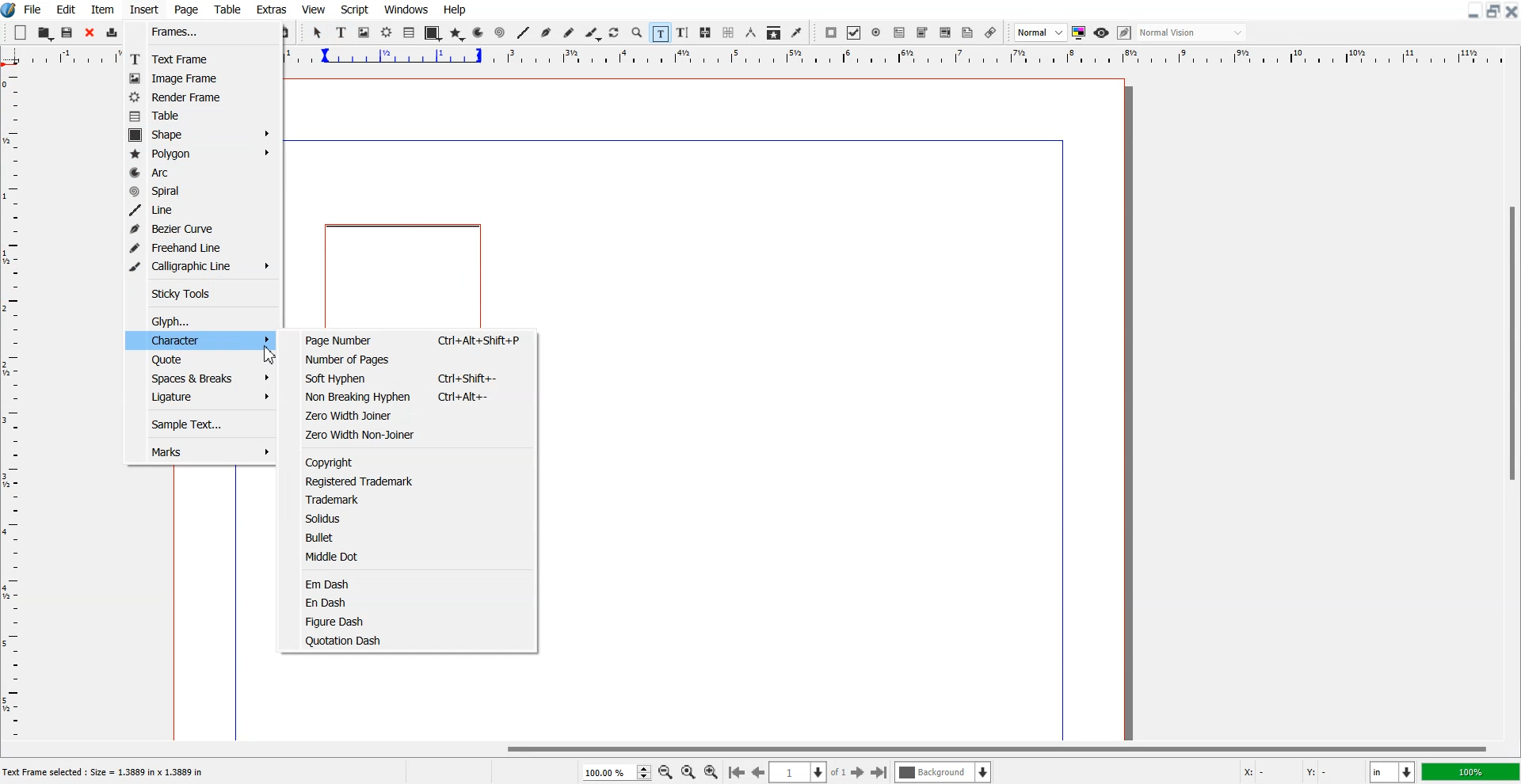  What do you see at coordinates (201, 192) in the screenshot?
I see `Spiral` at bounding box center [201, 192].